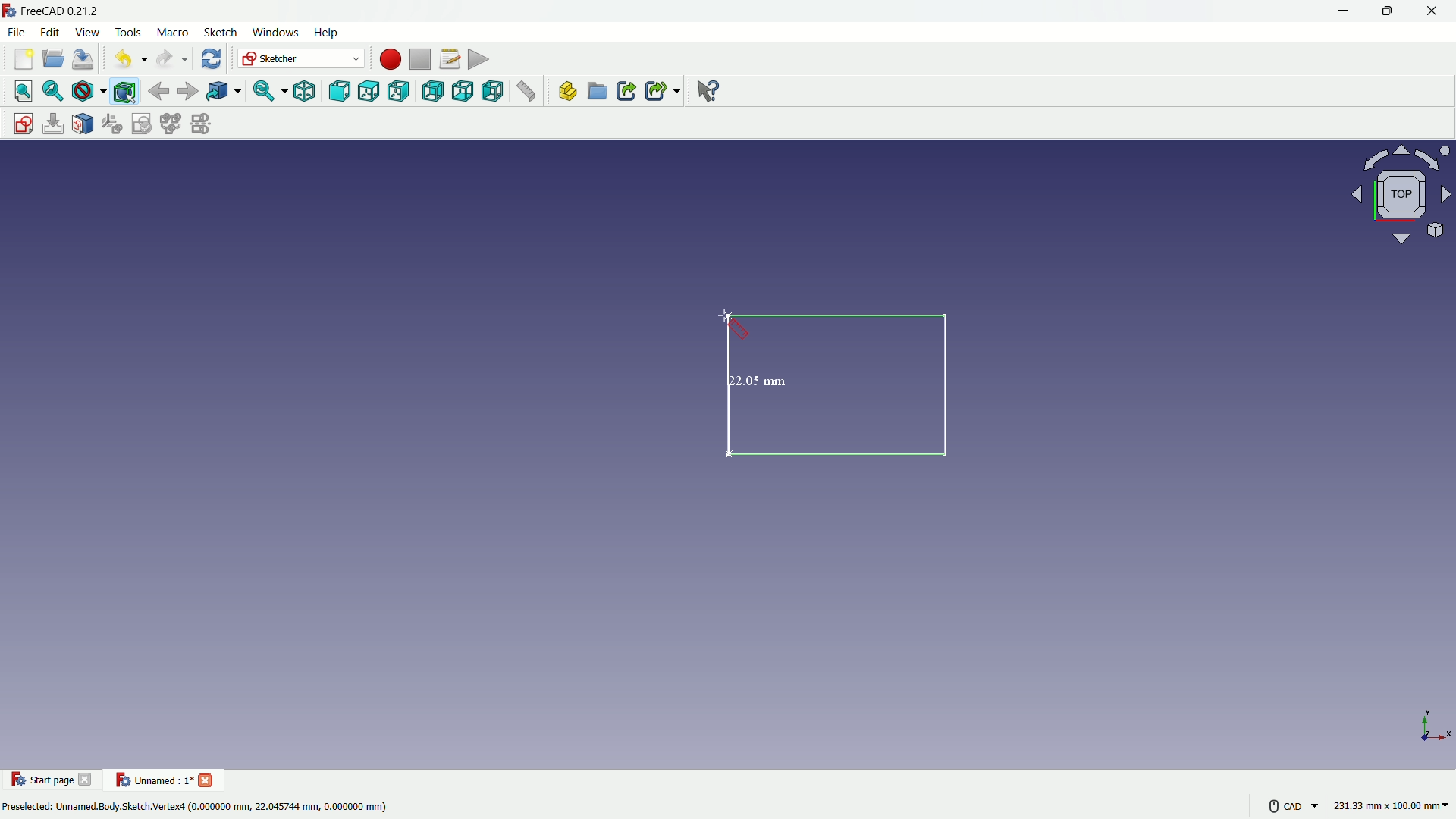 Image resolution: width=1456 pixels, height=819 pixels. What do you see at coordinates (220, 33) in the screenshot?
I see `sketch menu` at bounding box center [220, 33].